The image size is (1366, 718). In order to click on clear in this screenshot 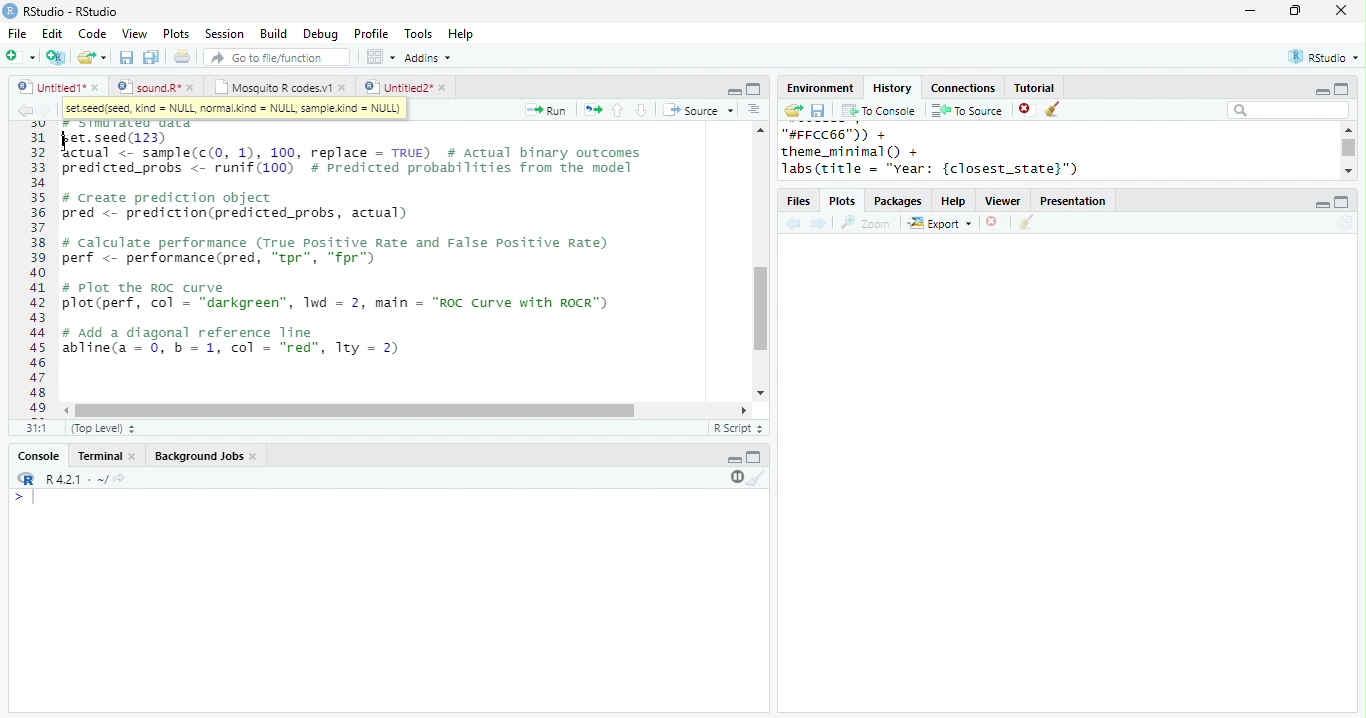, I will do `click(757, 477)`.